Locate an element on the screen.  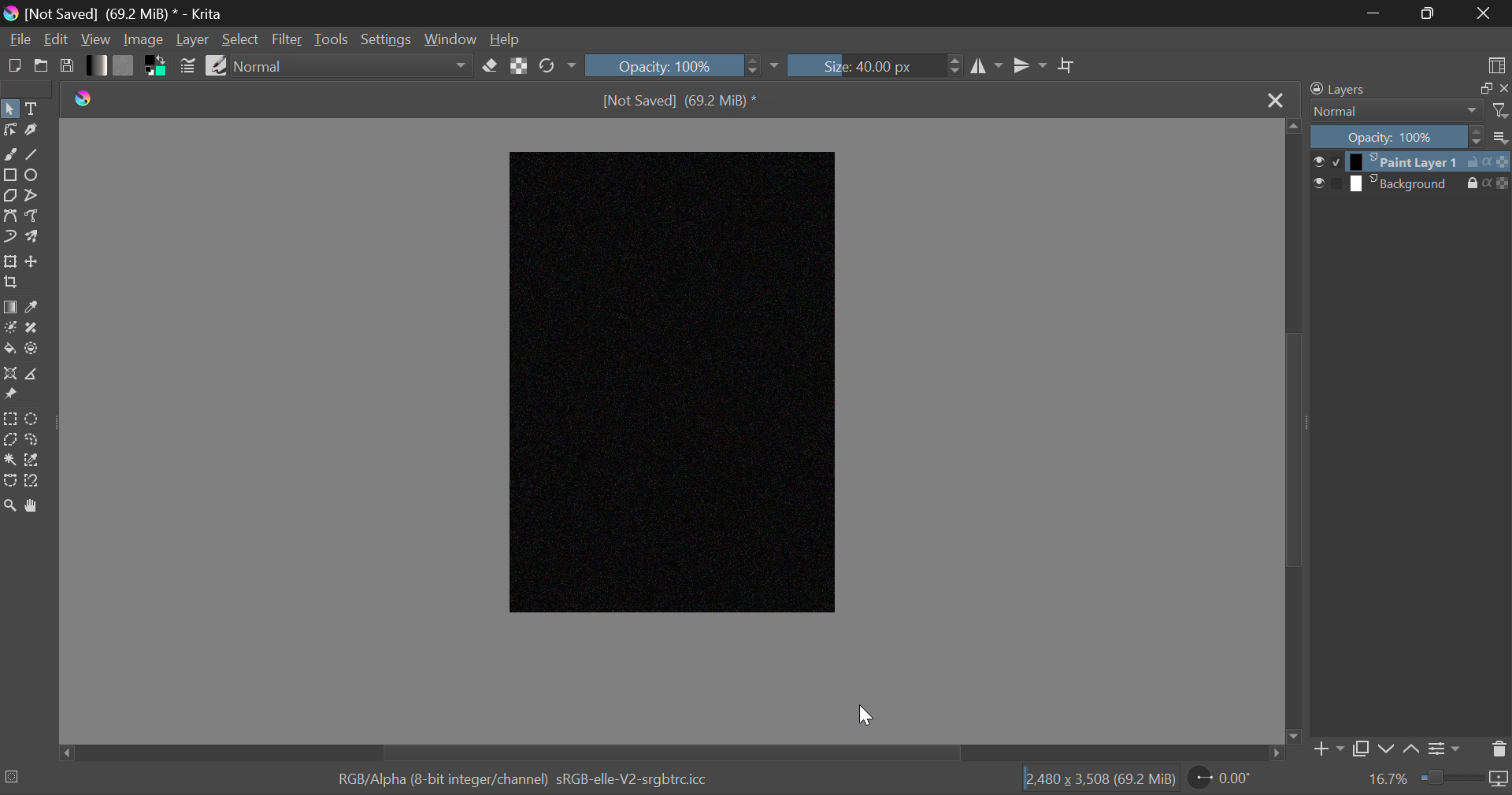
Bezier Curve is located at coordinates (11, 217).